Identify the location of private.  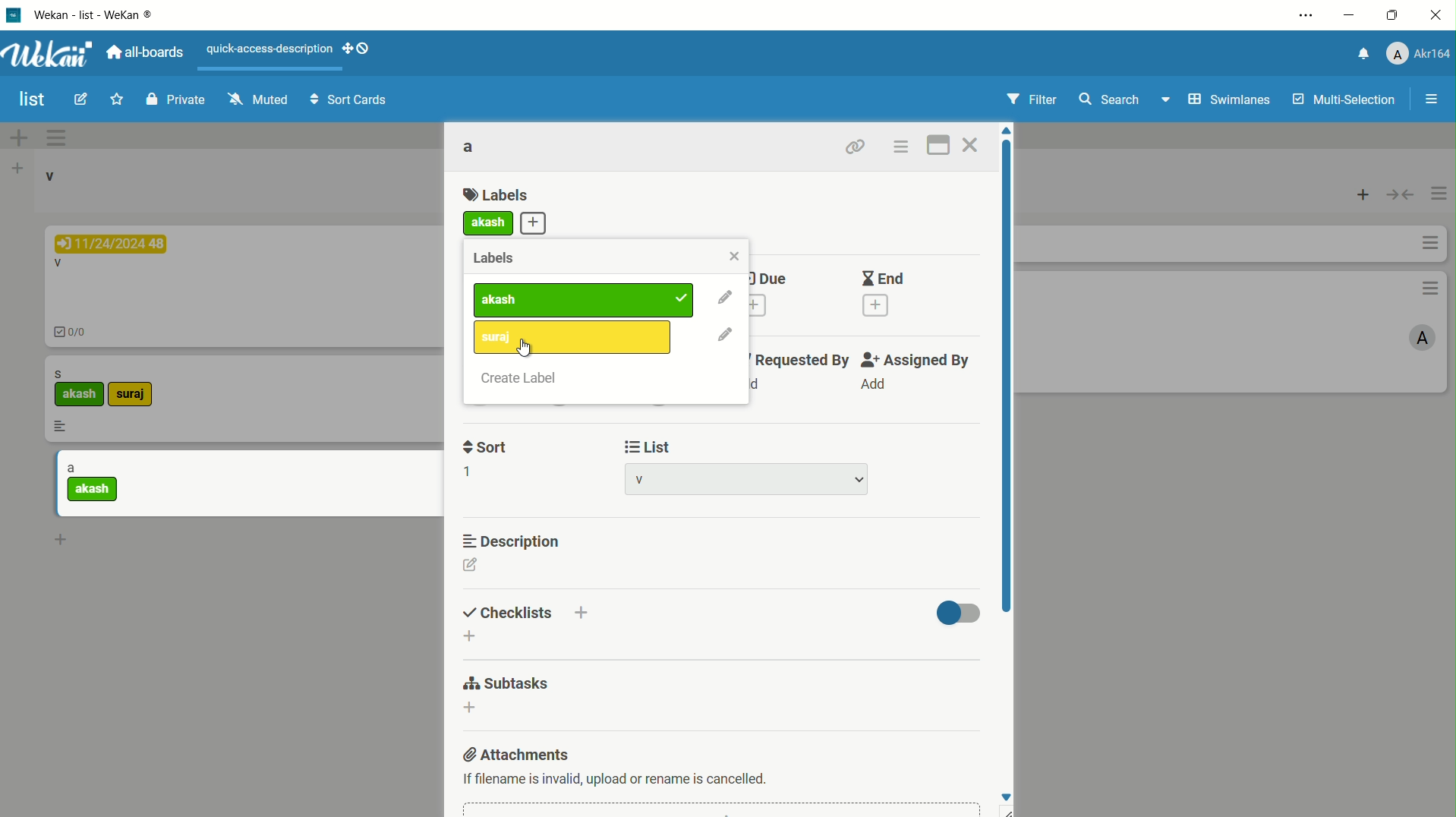
(173, 102).